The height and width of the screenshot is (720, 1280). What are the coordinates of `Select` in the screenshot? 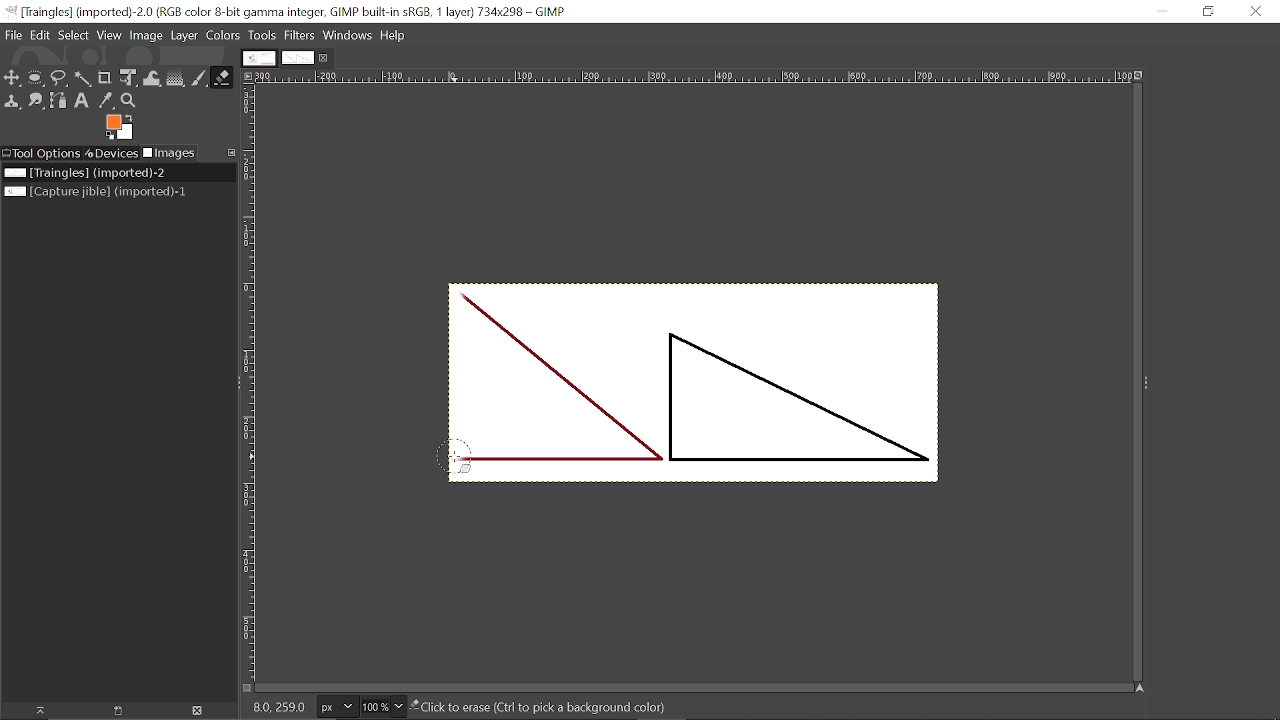 It's located at (72, 35).